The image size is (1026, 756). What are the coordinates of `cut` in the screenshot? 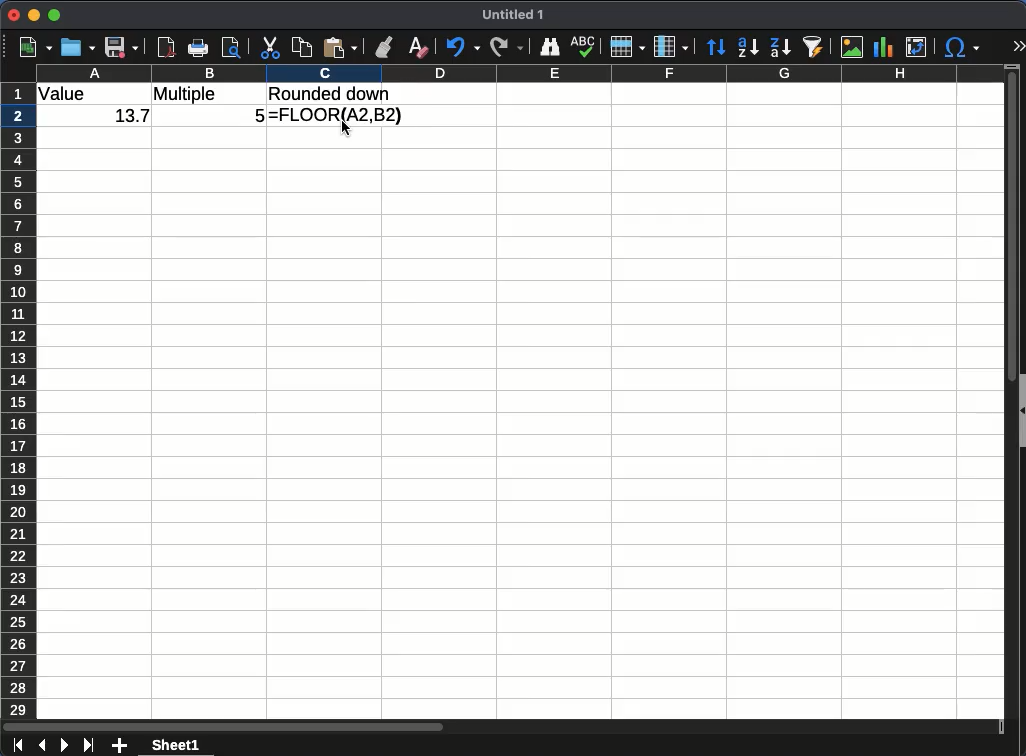 It's located at (271, 47).